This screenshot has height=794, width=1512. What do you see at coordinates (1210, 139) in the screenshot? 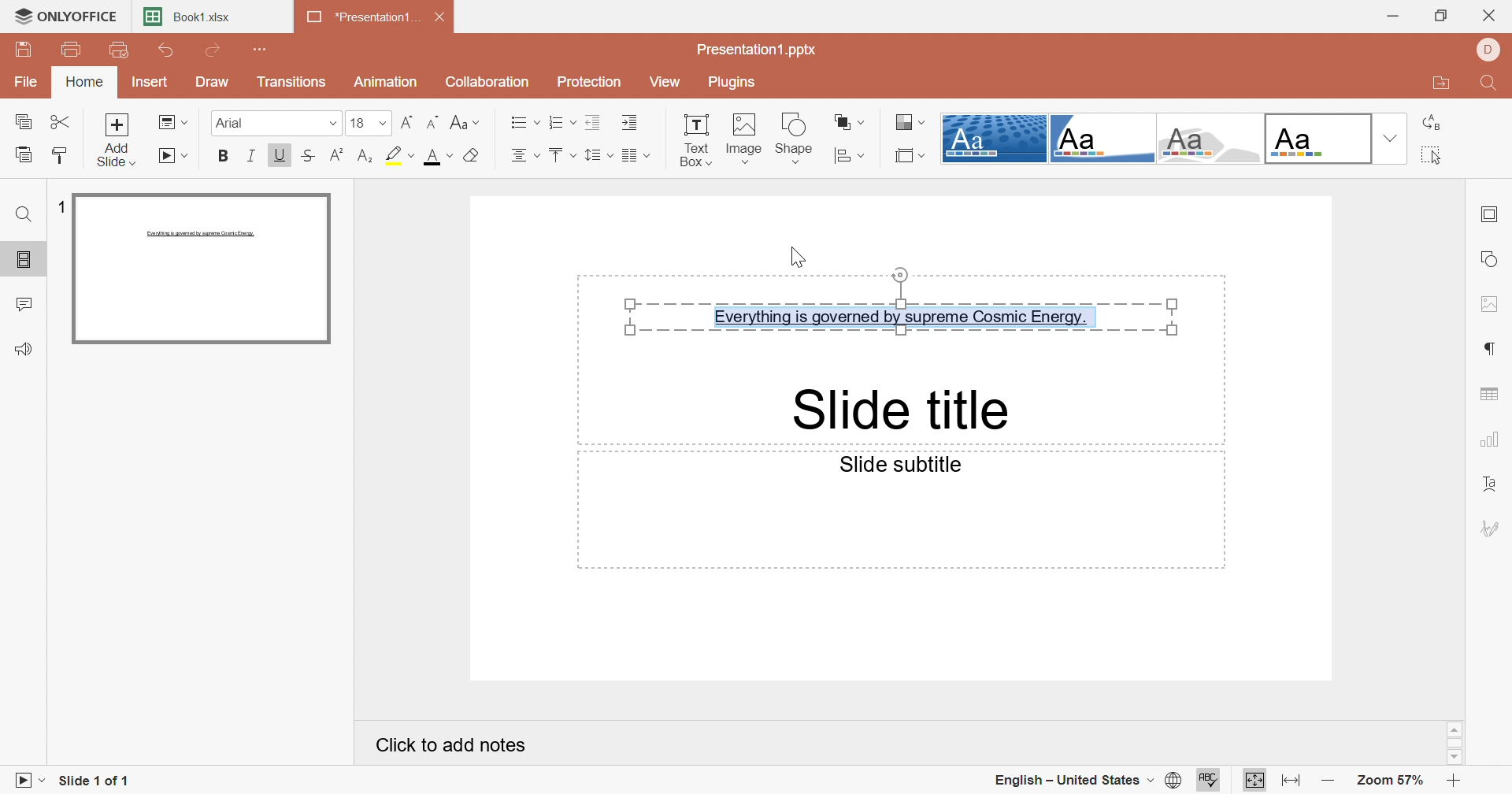
I see `Turtle` at bounding box center [1210, 139].